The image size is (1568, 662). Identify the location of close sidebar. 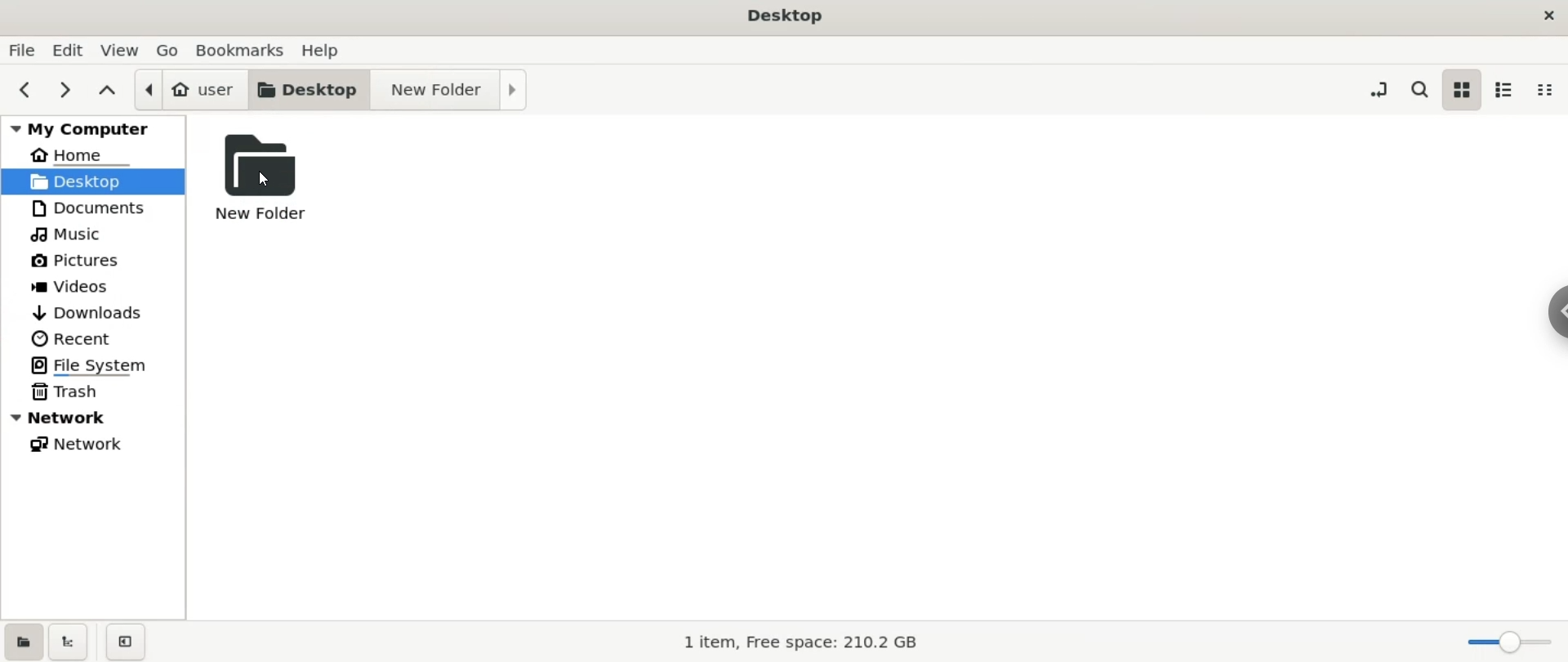
(124, 637).